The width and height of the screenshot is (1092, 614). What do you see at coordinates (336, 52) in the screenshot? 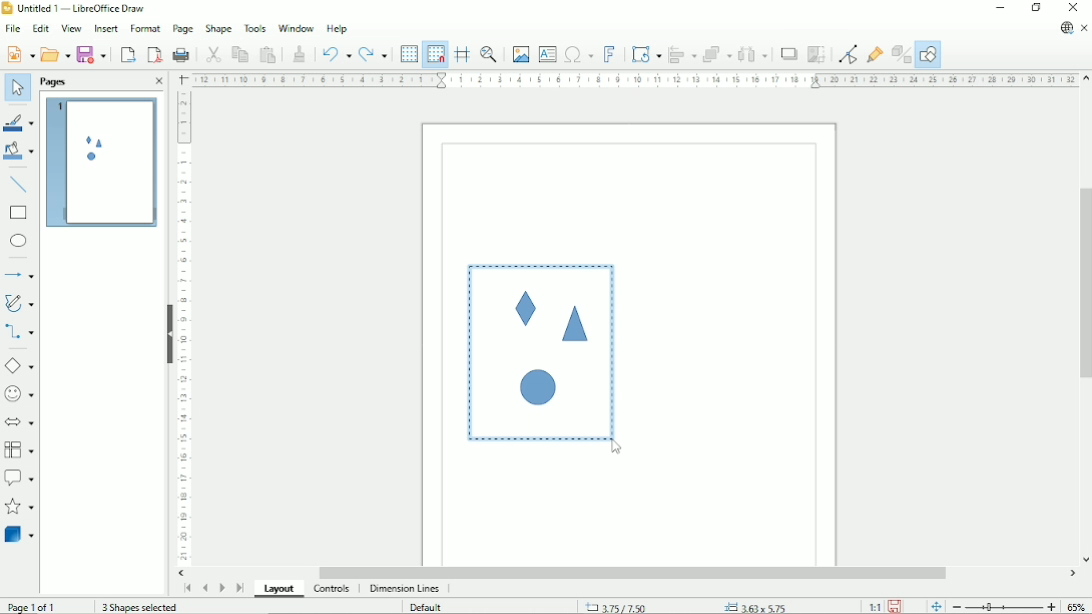
I see `Undo` at bounding box center [336, 52].